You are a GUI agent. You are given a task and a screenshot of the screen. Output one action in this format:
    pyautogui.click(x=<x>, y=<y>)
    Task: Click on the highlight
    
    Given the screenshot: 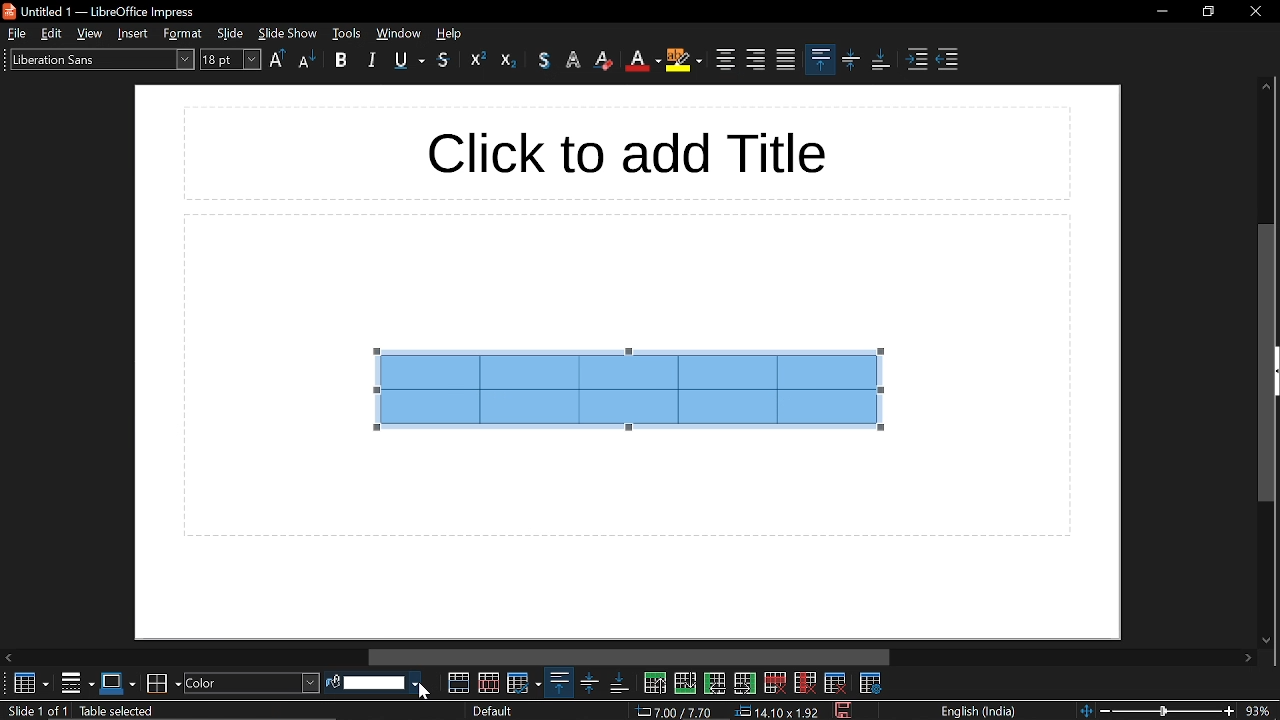 What is the action you would take?
    pyautogui.click(x=685, y=60)
    